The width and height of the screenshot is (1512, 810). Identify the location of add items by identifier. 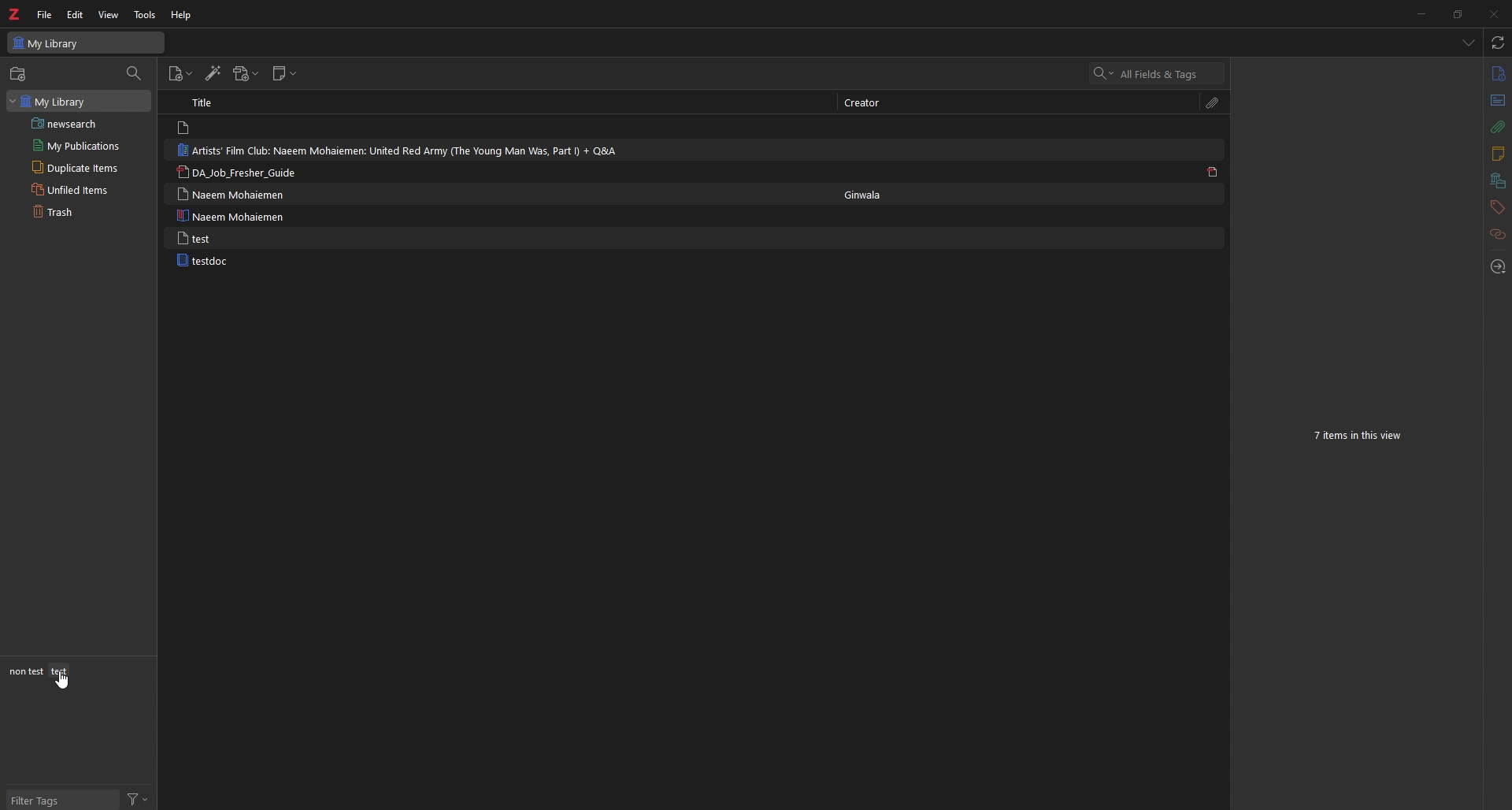
(213, 74).